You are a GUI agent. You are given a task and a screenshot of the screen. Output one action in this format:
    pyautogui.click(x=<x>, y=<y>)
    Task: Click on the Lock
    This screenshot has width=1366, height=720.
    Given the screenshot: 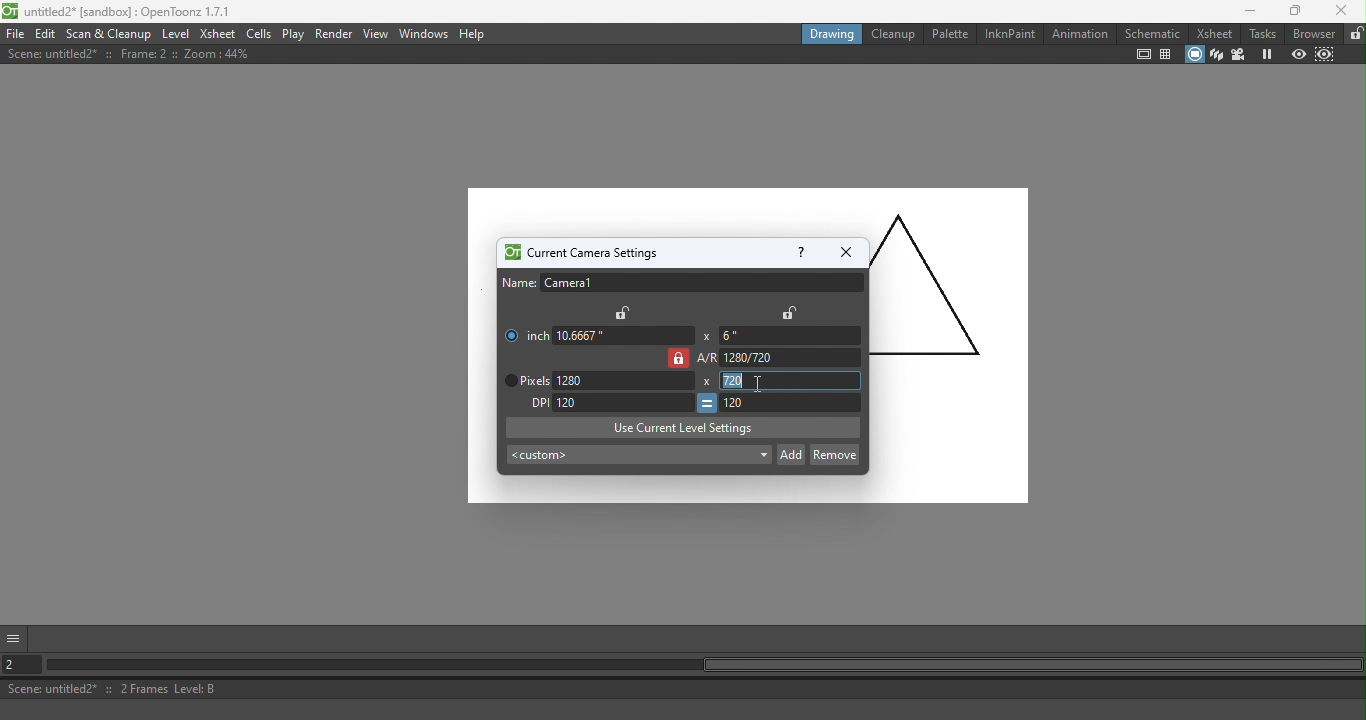 What is the action you would take?
    pyautogui.click(x=624, y=312)
    